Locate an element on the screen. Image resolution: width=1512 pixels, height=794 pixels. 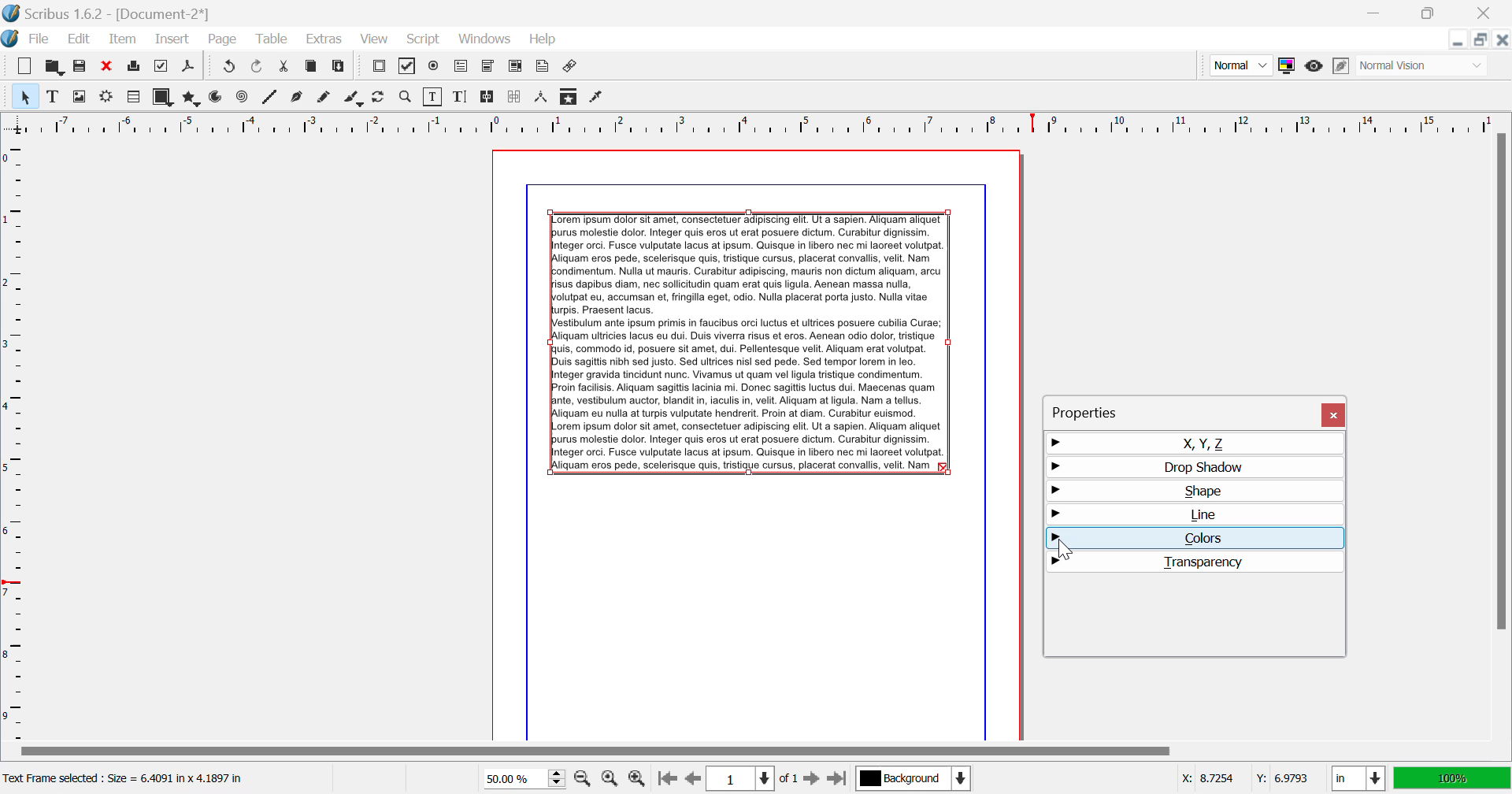
Insert is located at coordinates (173, 40).